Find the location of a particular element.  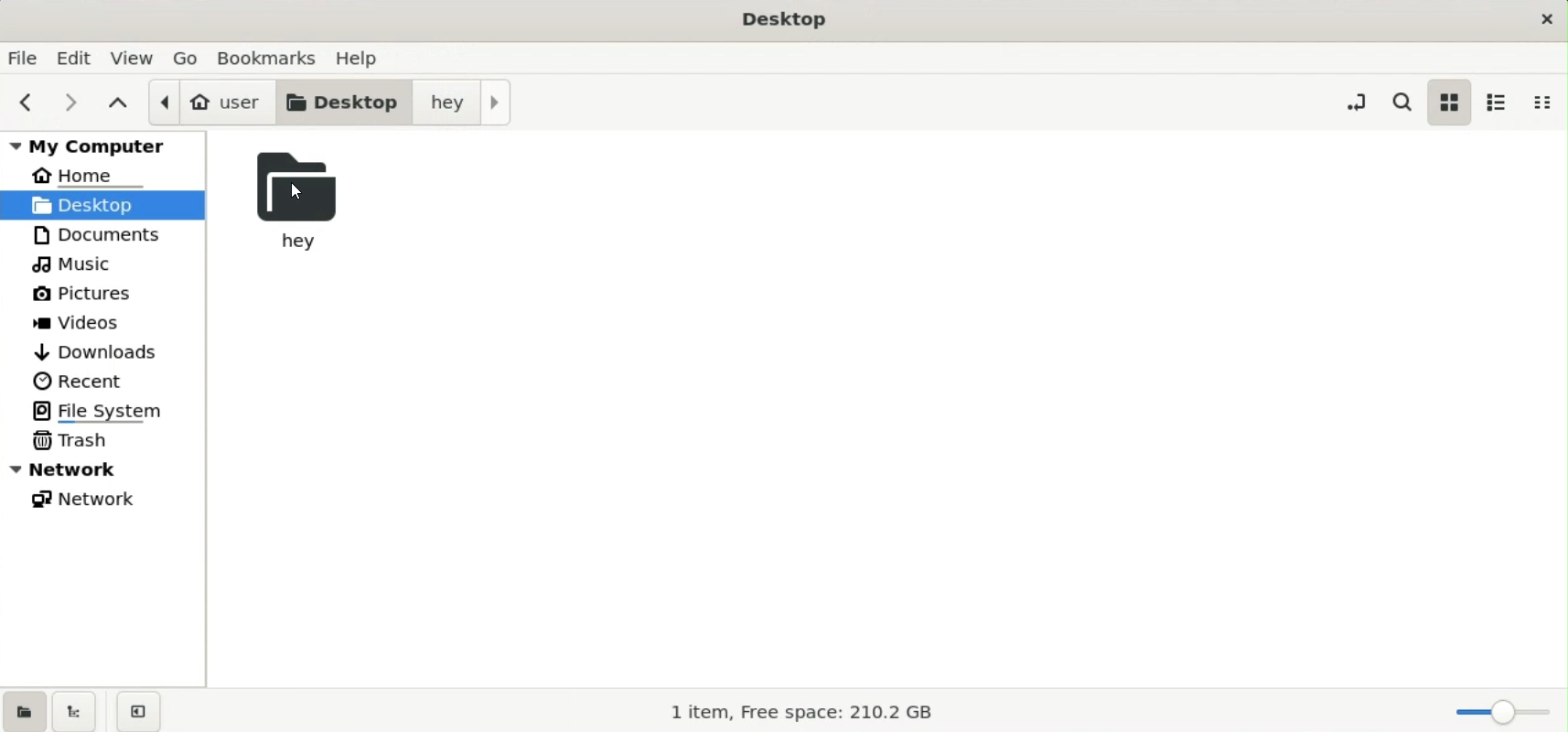

document is located at coordinates (110, 234).